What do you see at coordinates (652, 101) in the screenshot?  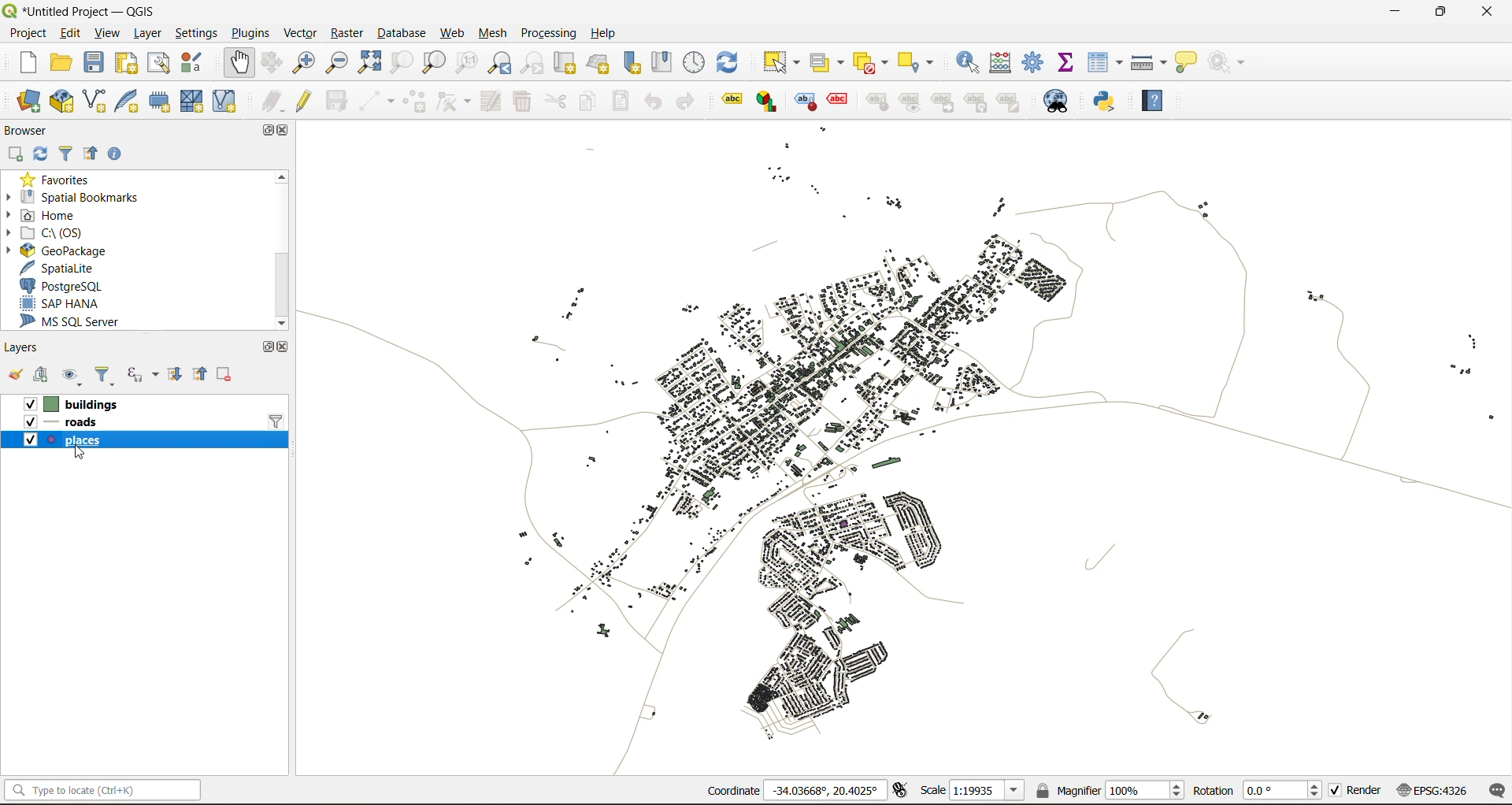 I see `undo` at bounding box center [652, 101].